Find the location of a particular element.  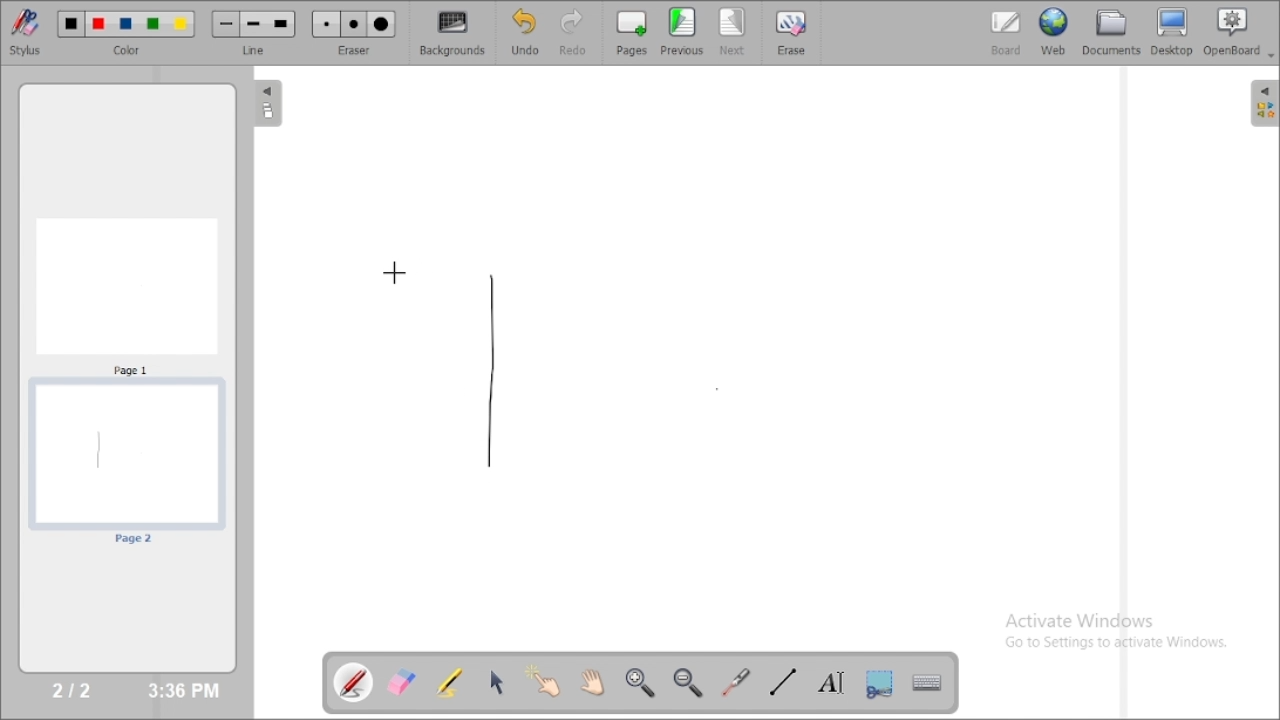

openboard is located at coordinates (1239, 33).